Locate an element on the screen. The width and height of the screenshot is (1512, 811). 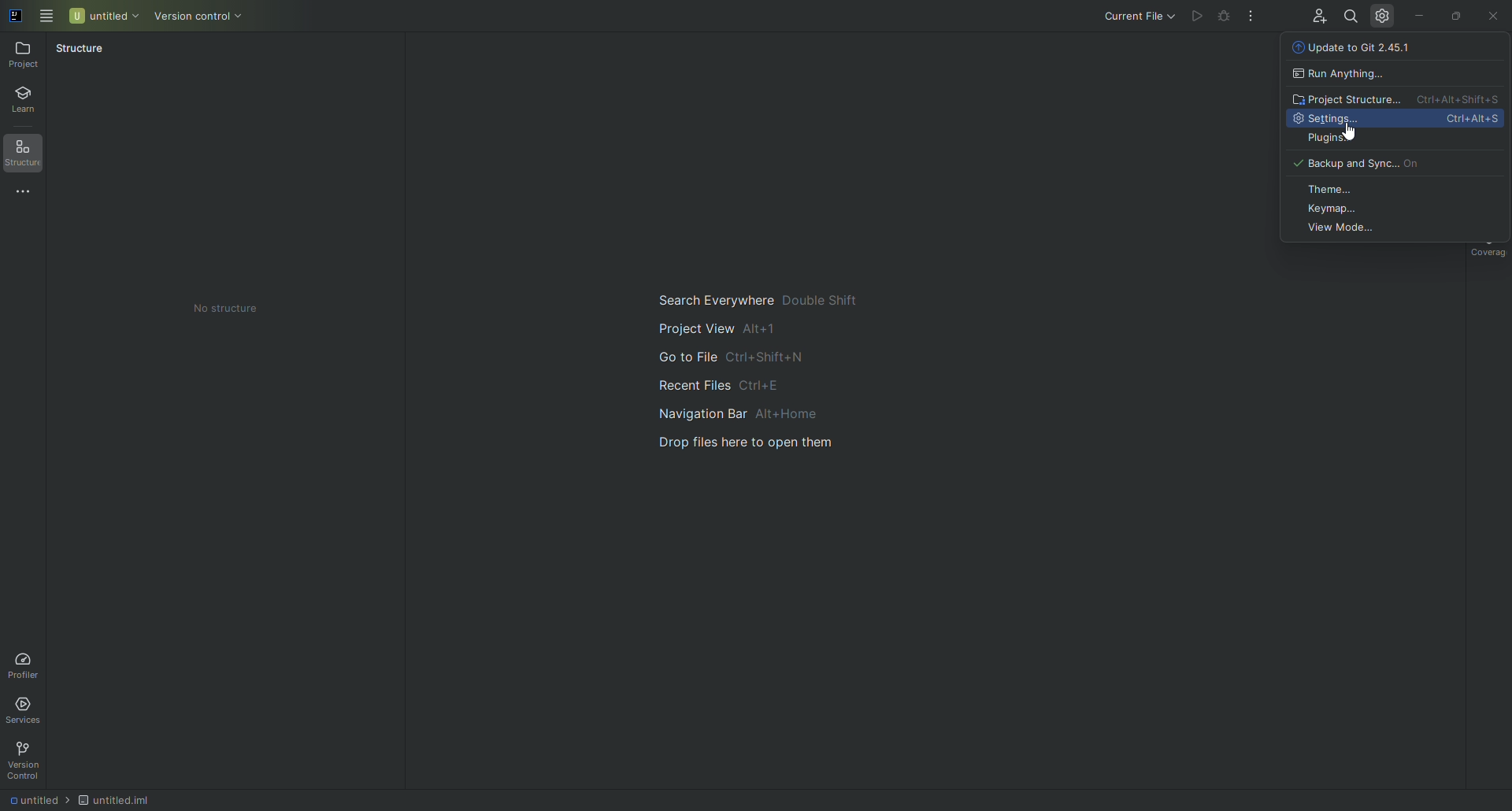
Code With Me is located at coordinates (1318, 17).